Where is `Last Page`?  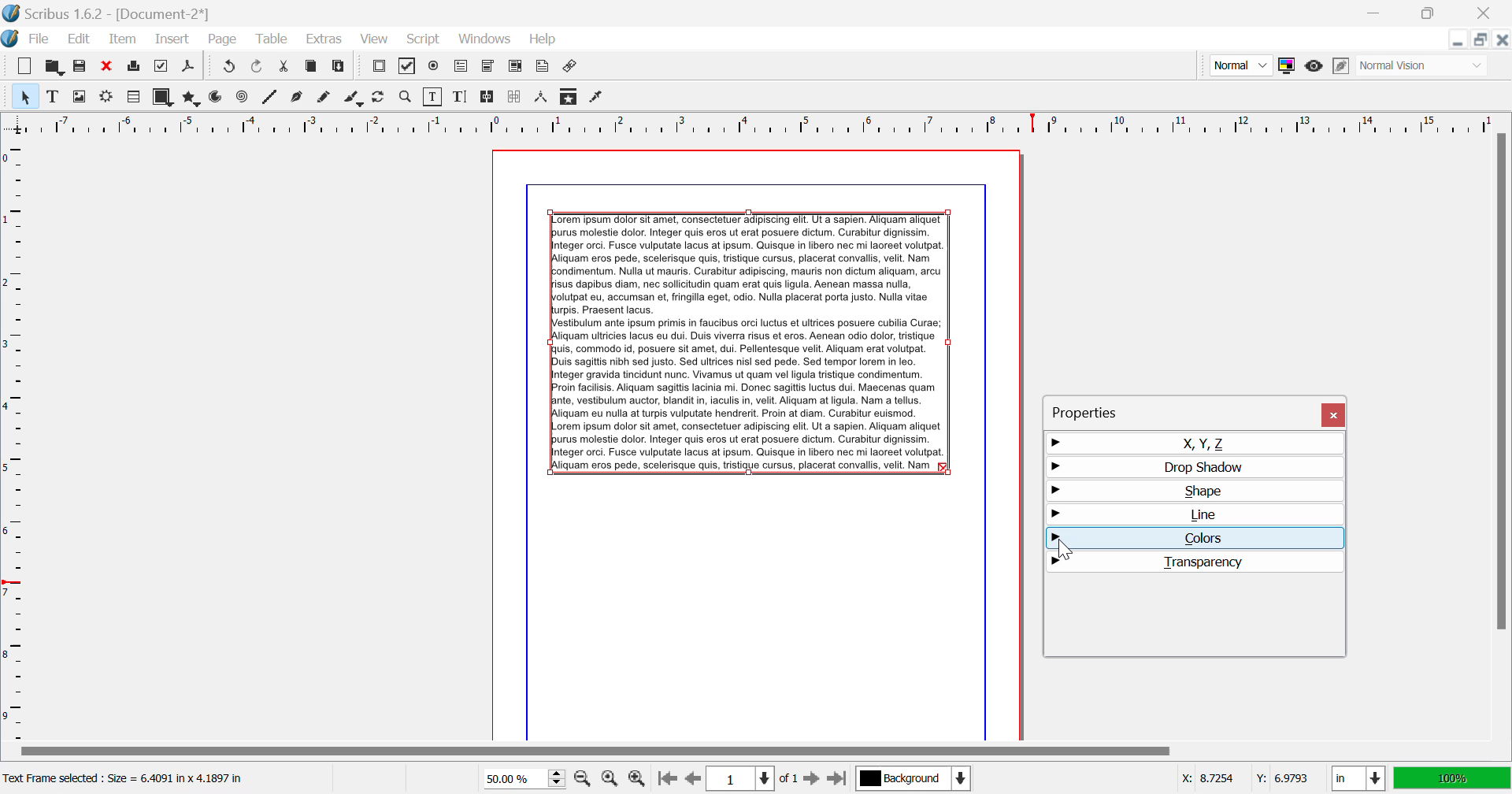
Last Page is located at coordinates (836, 779).